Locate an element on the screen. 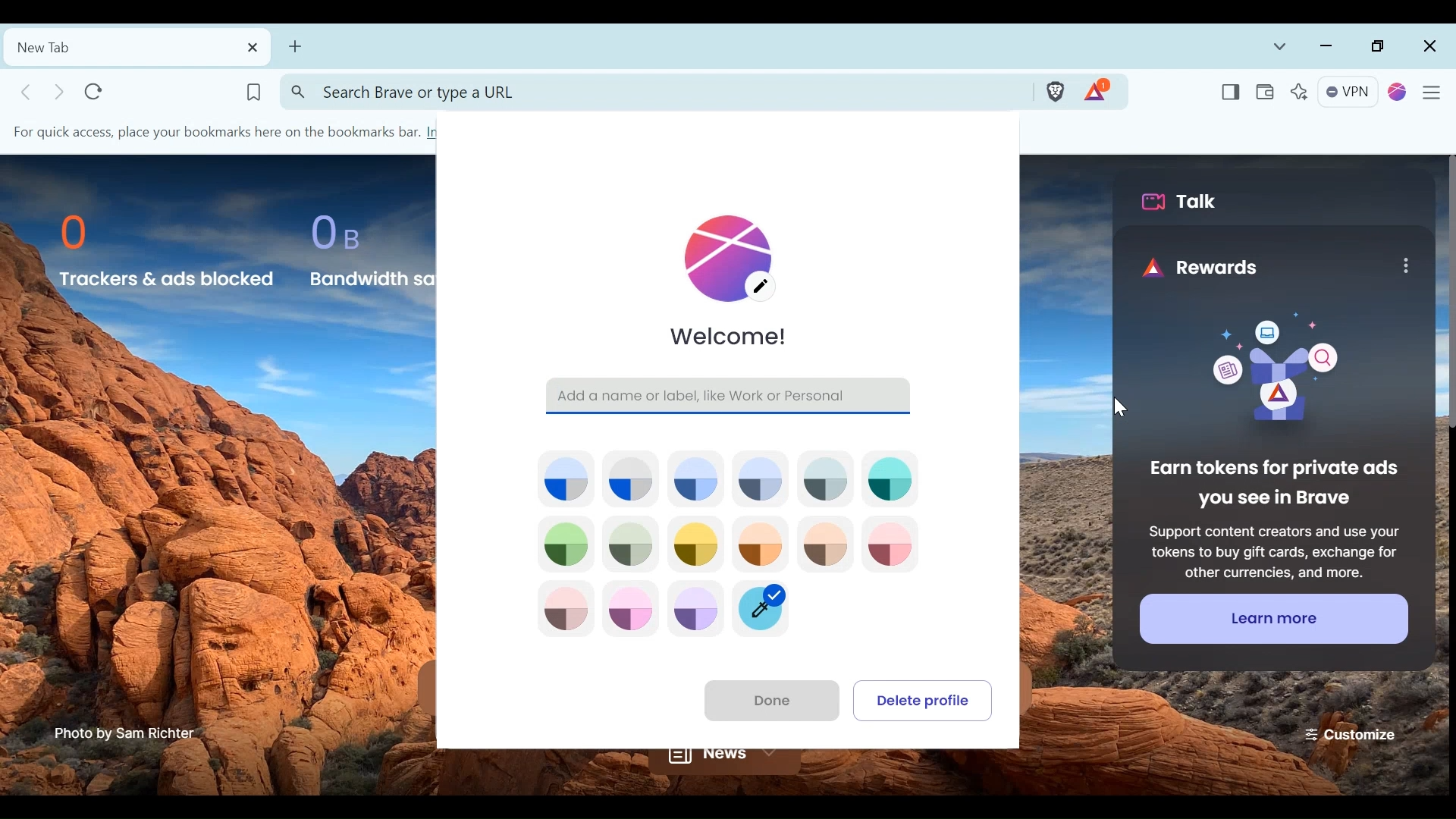  Add new Tab is located at coordinates (295, 49).